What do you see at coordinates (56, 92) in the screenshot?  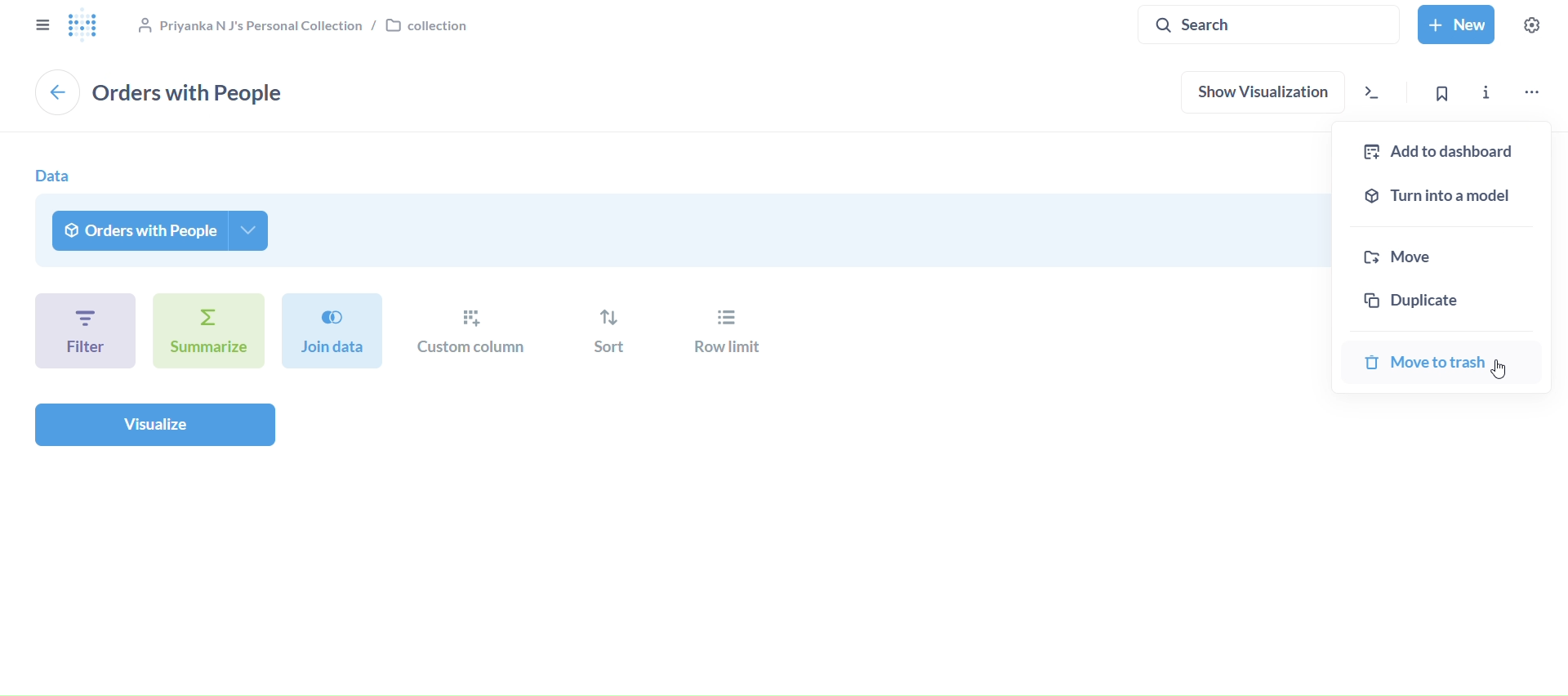 I see `back` at bounding box center [56, 92].